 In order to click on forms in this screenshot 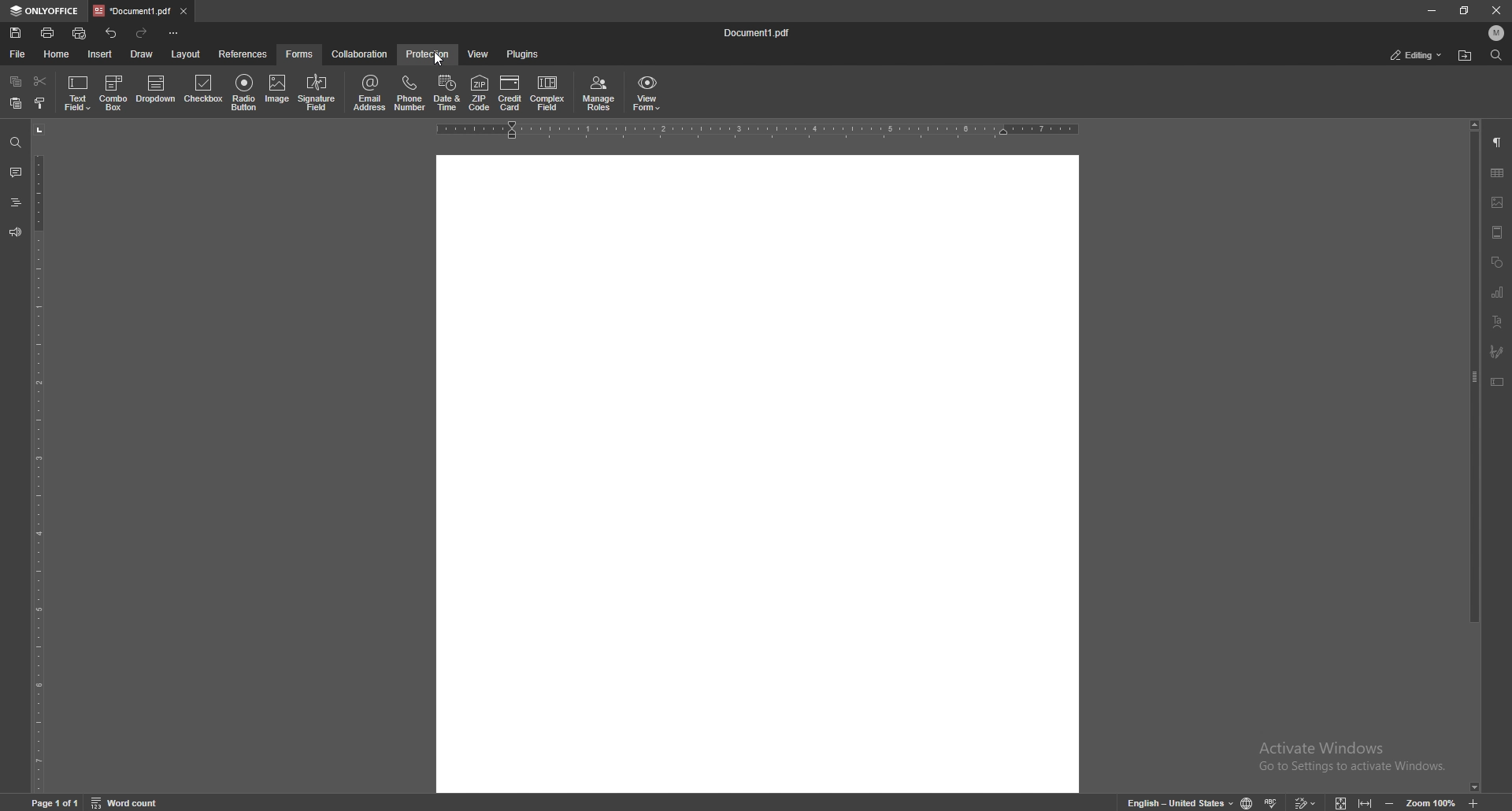, I will do `click(301, 54)`.